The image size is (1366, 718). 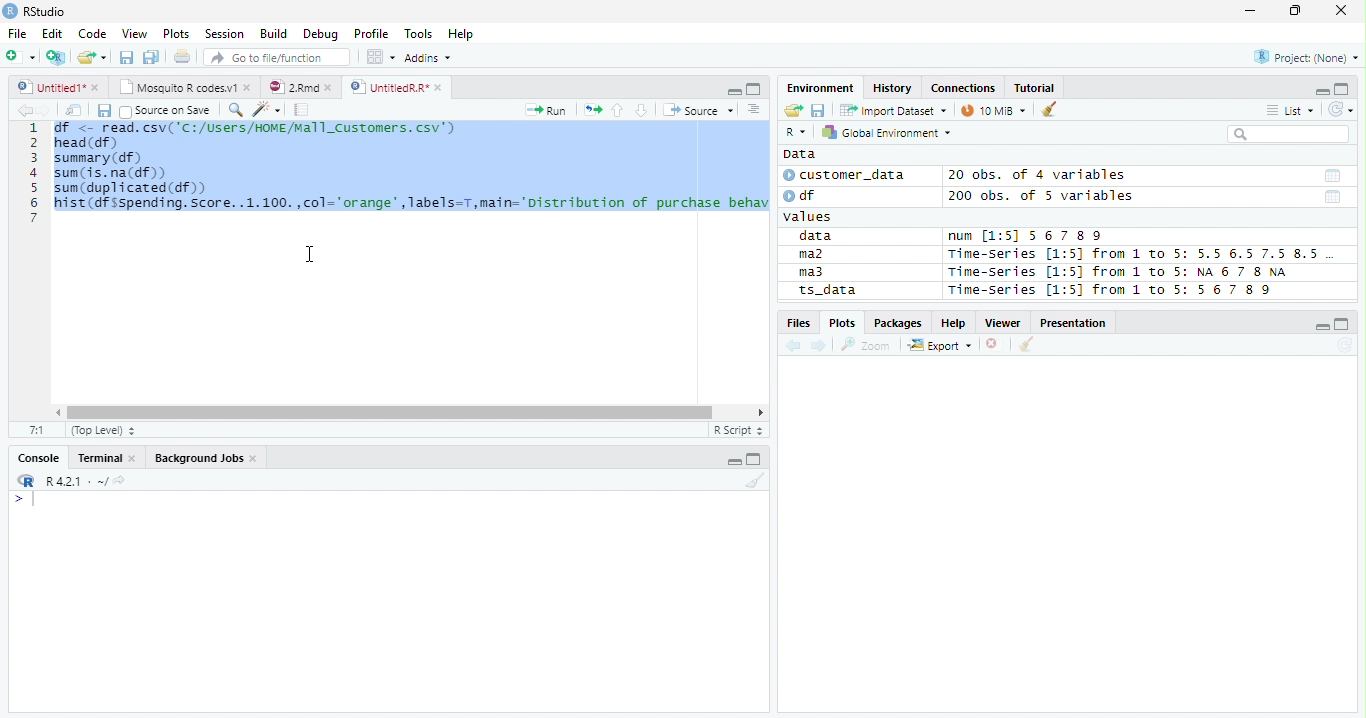 What do you see at coordinates (380, 57) in the screenshot?
I see `Workplace panes` at bounding box center [380, 57].